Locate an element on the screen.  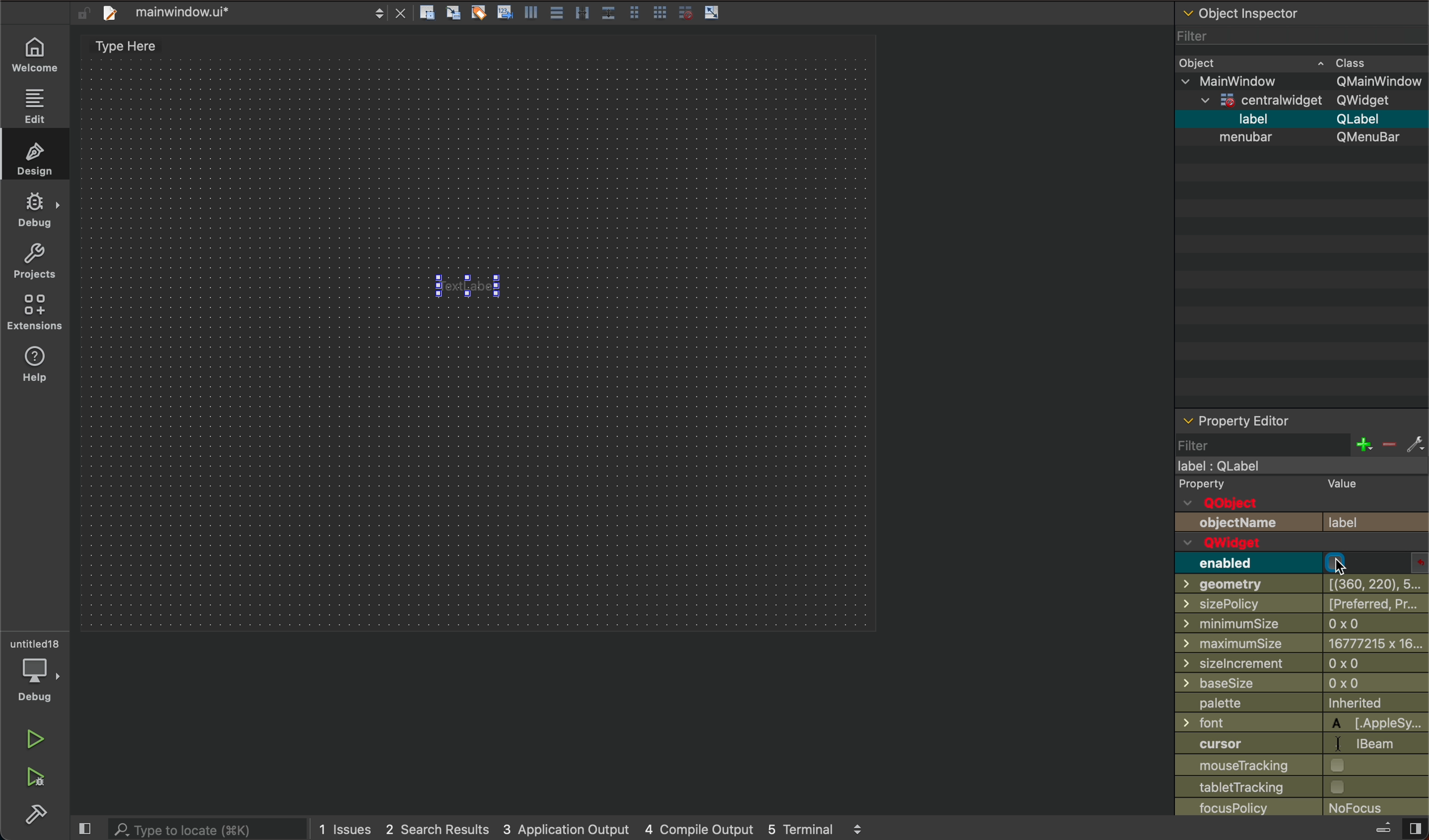
objectName  is located at coordinates (1244, 523).